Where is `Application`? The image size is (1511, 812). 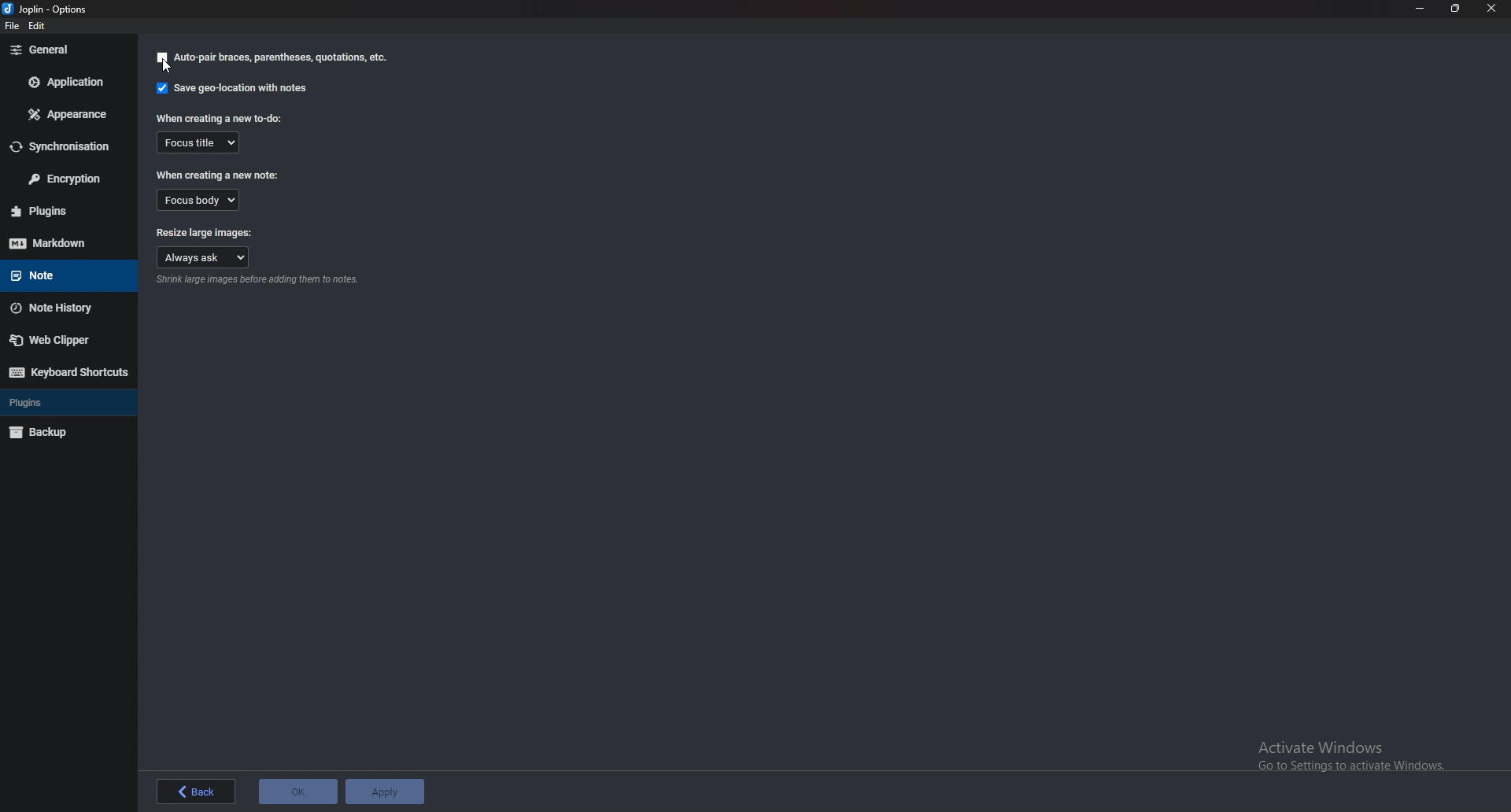 Application is located at coordinates (67, 82).